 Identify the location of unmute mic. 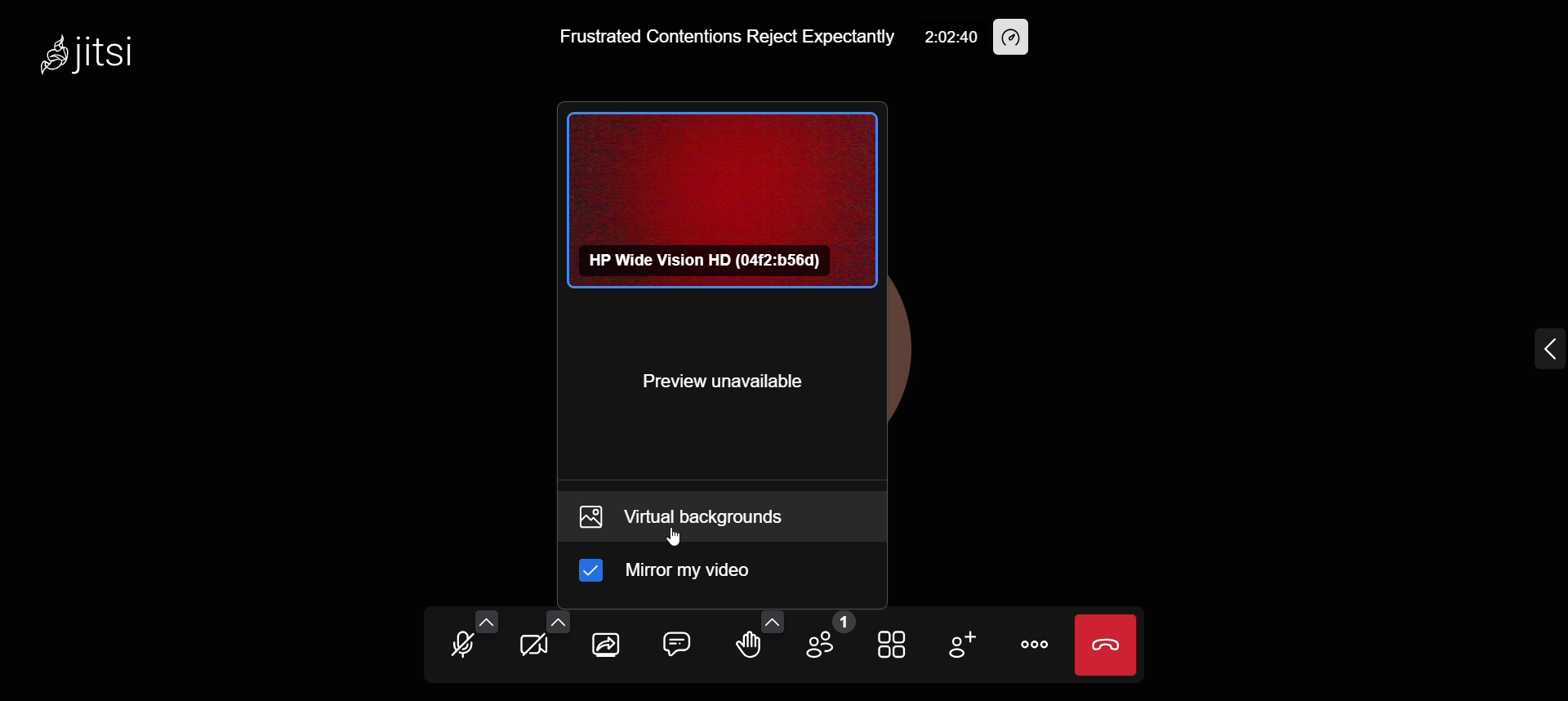
(459, 645).